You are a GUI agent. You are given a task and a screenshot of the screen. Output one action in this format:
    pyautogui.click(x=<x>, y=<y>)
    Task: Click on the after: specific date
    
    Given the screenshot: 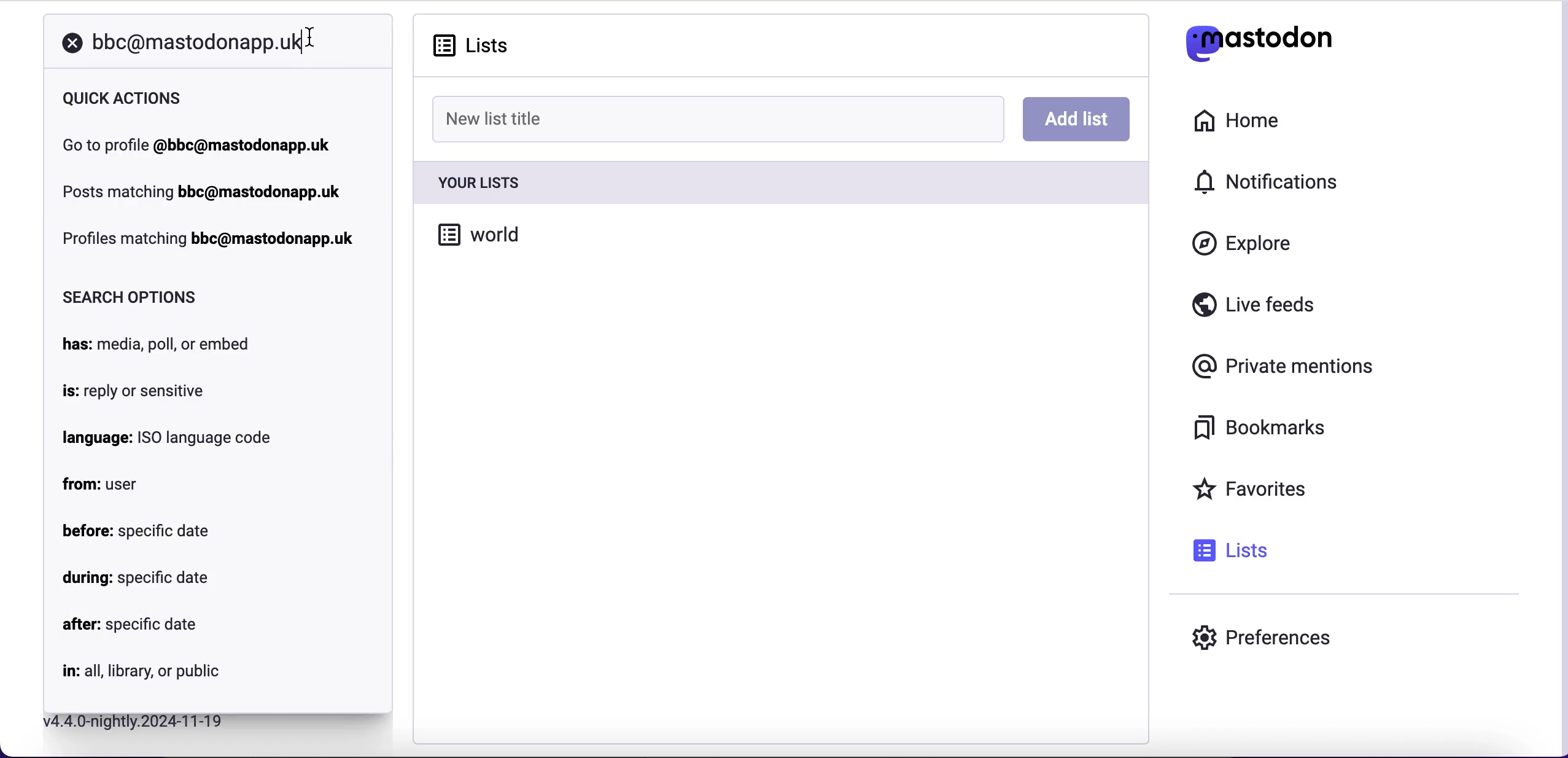 What is the action you would take?
    pyautogui.click(x=130, y=628)
    